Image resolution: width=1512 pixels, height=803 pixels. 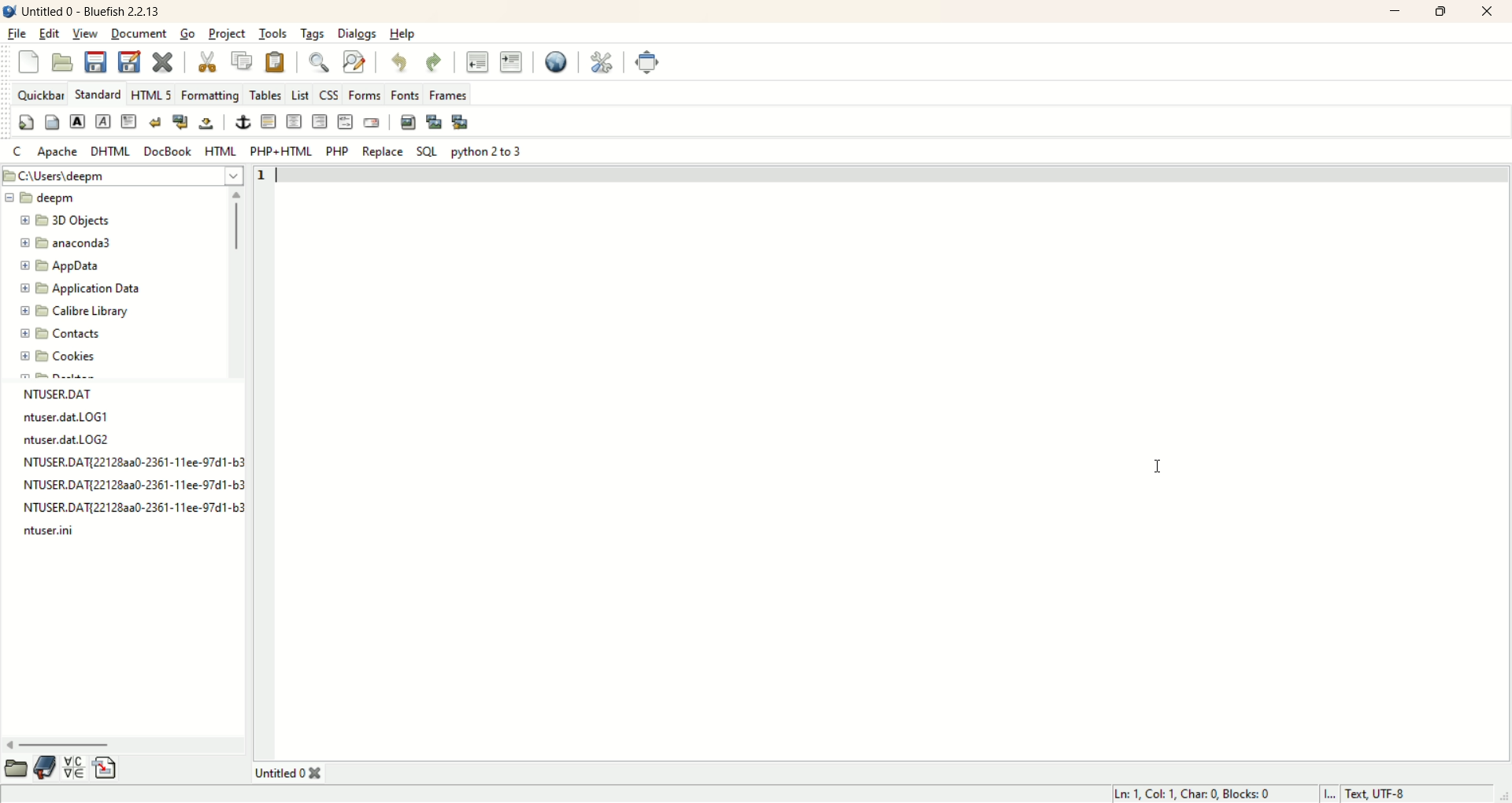 I want to click on anchor/hyperlink, so click(x=243, y=124).